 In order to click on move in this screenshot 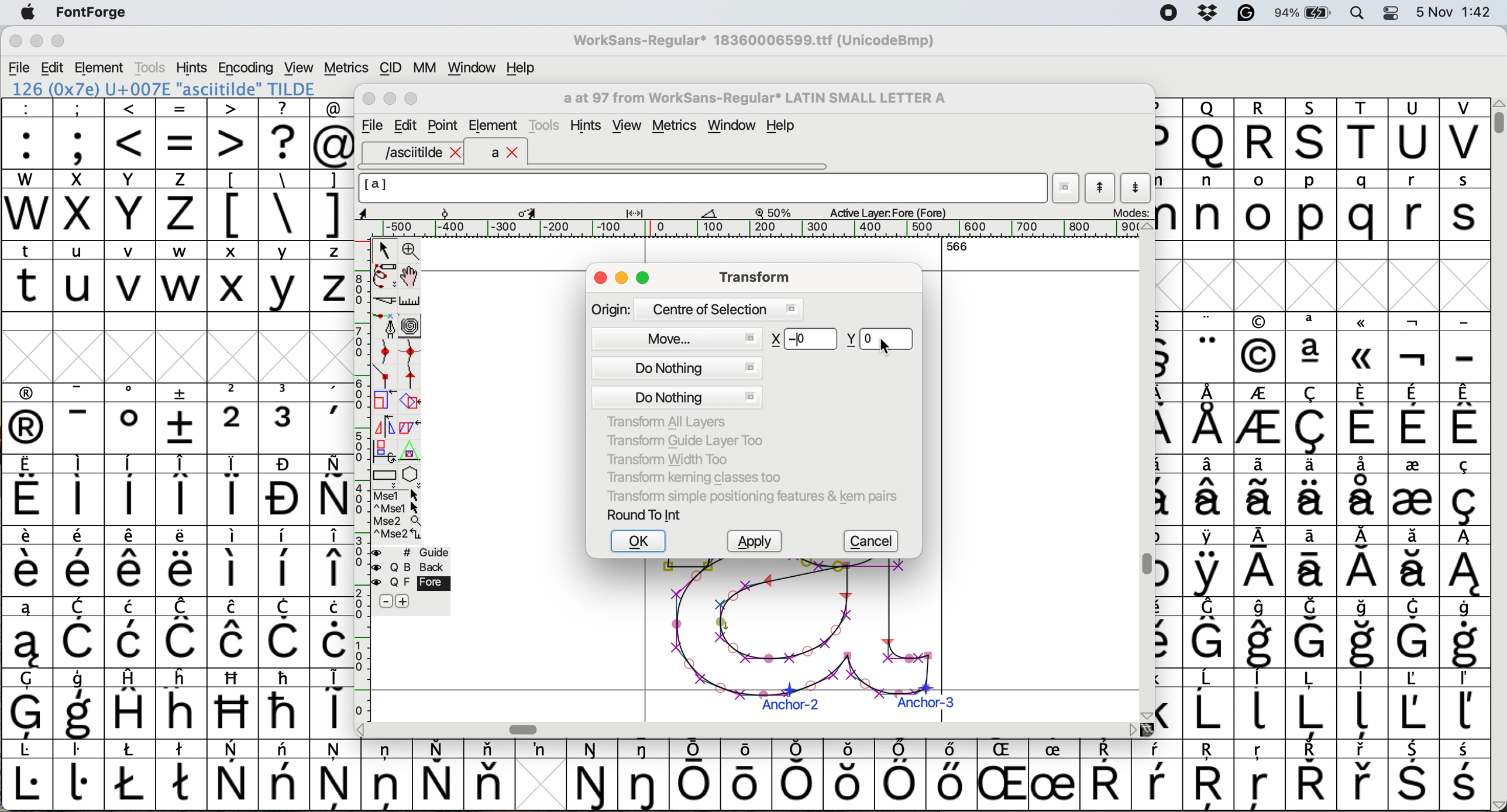, I will do `click(677, 337)`.